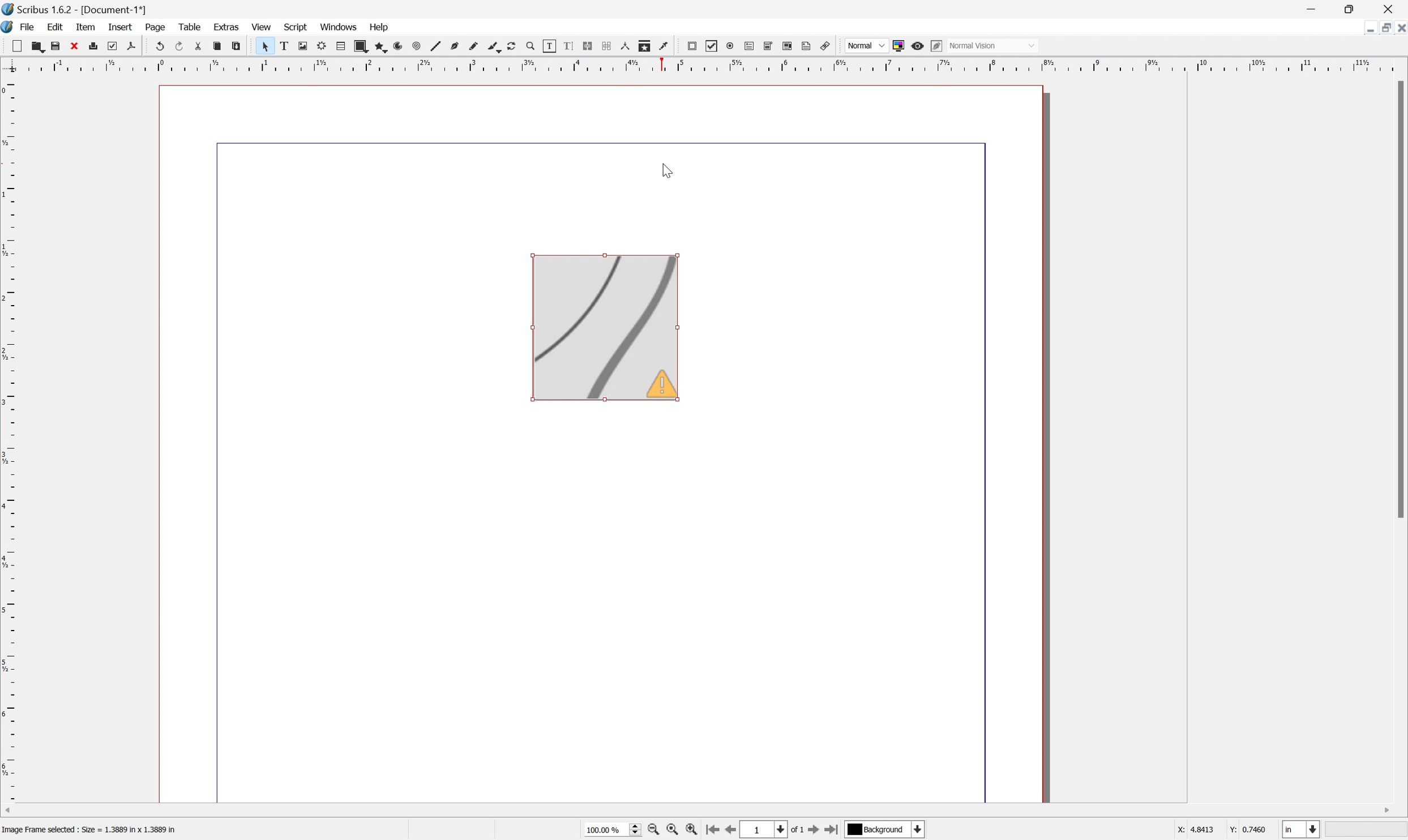 This screenshot has width=1408, height=840. Describe the element at coordinates (1311, 10) in the screenshot. I see `Minimize` at that location.